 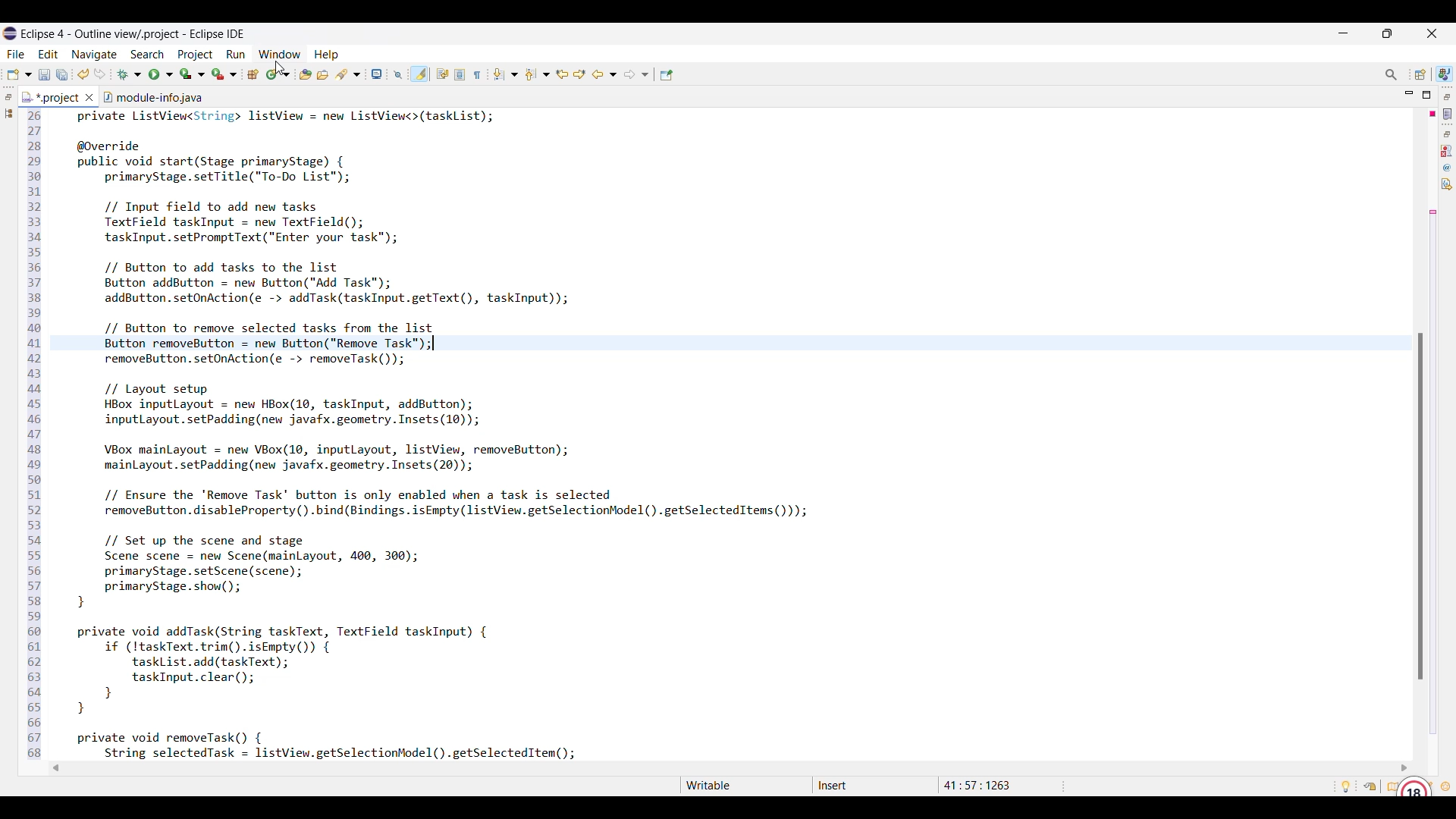 What do you see at coordinates (19, 74) in the screenshot?
I see `New options` at bounding box center [19, 74].